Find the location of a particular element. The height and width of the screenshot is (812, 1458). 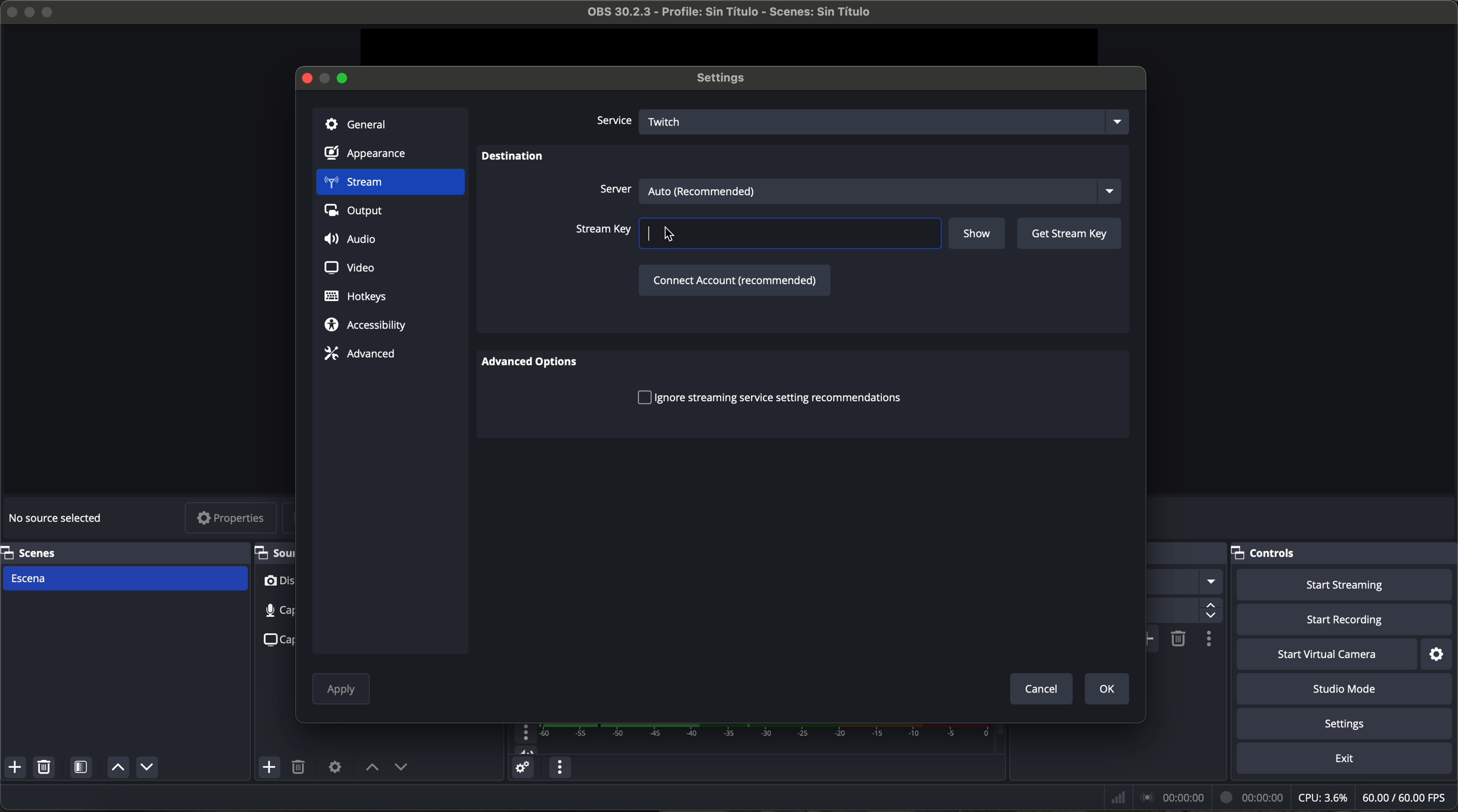

video is located at coordinates (348, 266).